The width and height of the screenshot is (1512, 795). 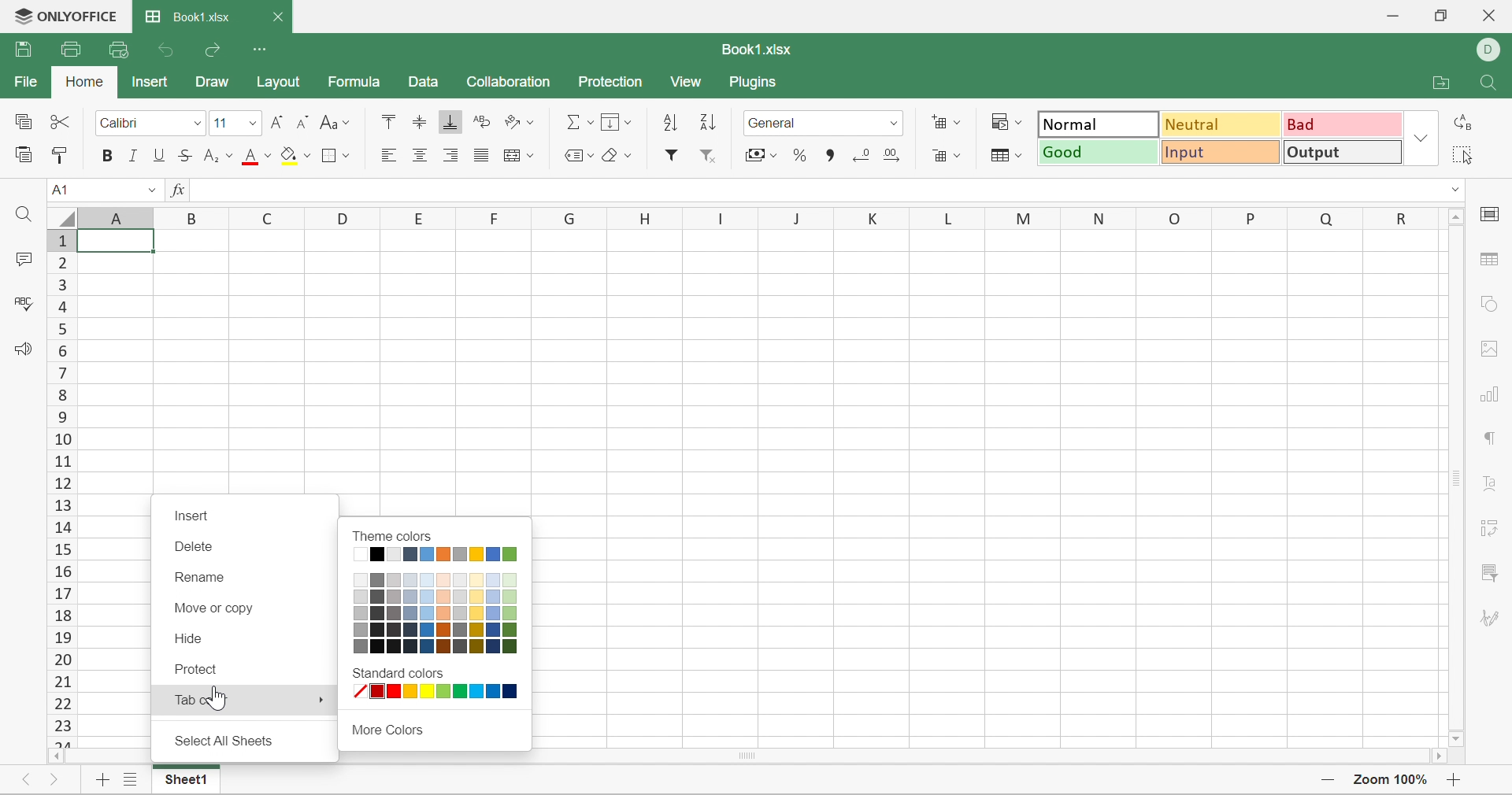 What do you see at coordinates (58, 679) in the screenshot?
I see `21` at bounding box center [58, 679].